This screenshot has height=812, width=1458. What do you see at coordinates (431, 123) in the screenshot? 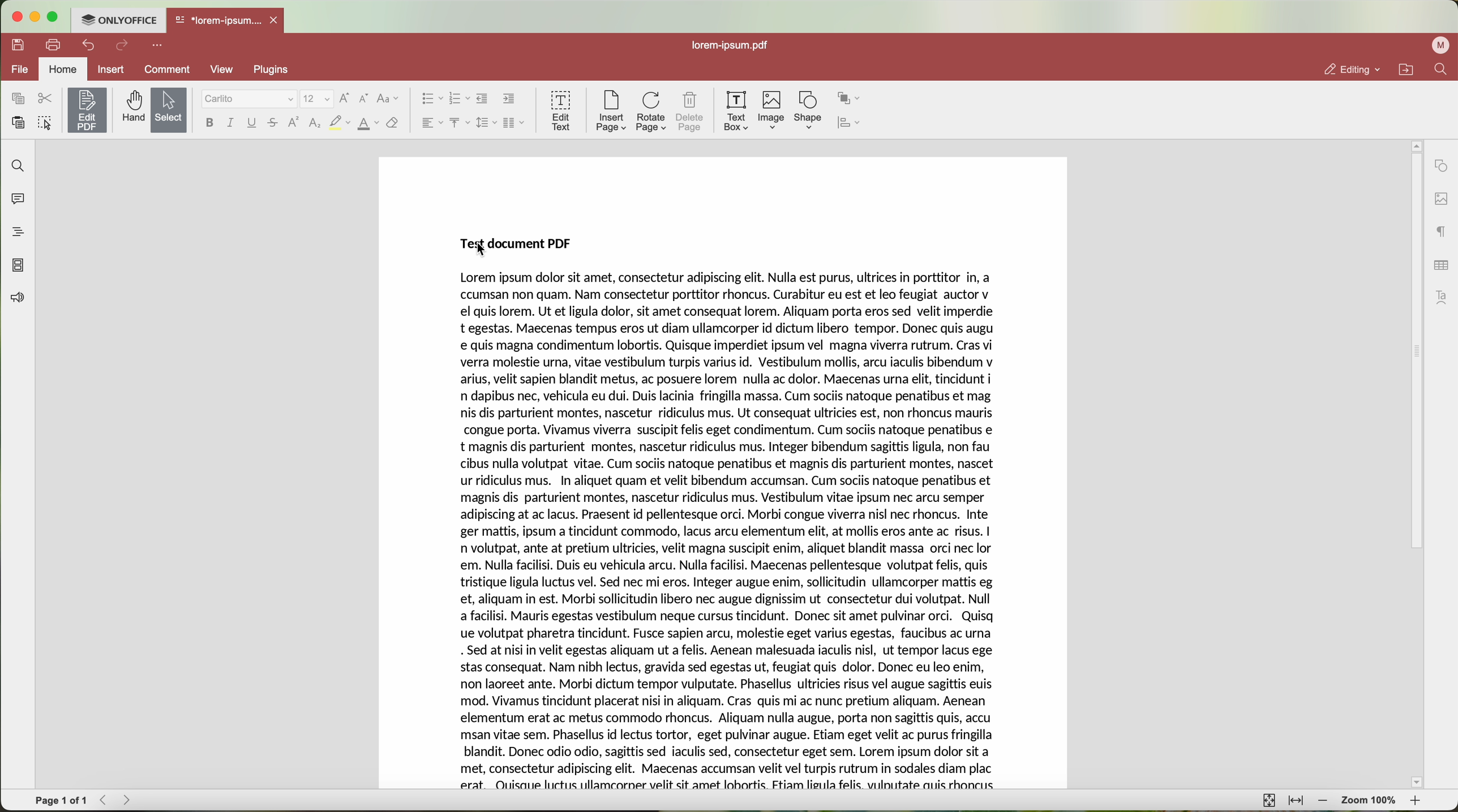
I see `horizontal align` at bounding box center [431, 123].